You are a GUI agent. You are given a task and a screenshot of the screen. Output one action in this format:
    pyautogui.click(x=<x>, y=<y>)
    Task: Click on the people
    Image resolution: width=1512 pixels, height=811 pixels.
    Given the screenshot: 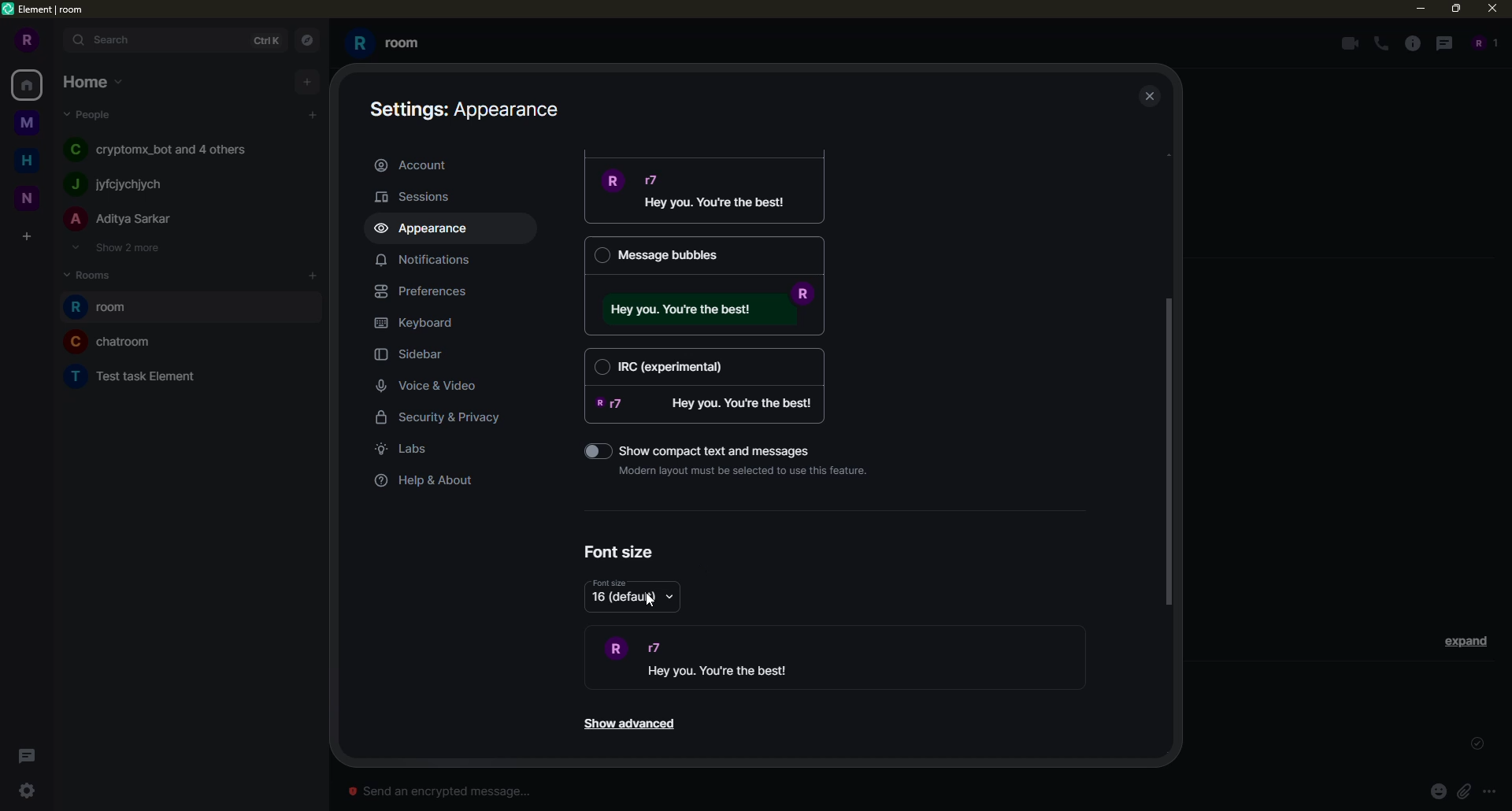 What is the action you would take?
    pyautogui.click(x=163, y=148)
    